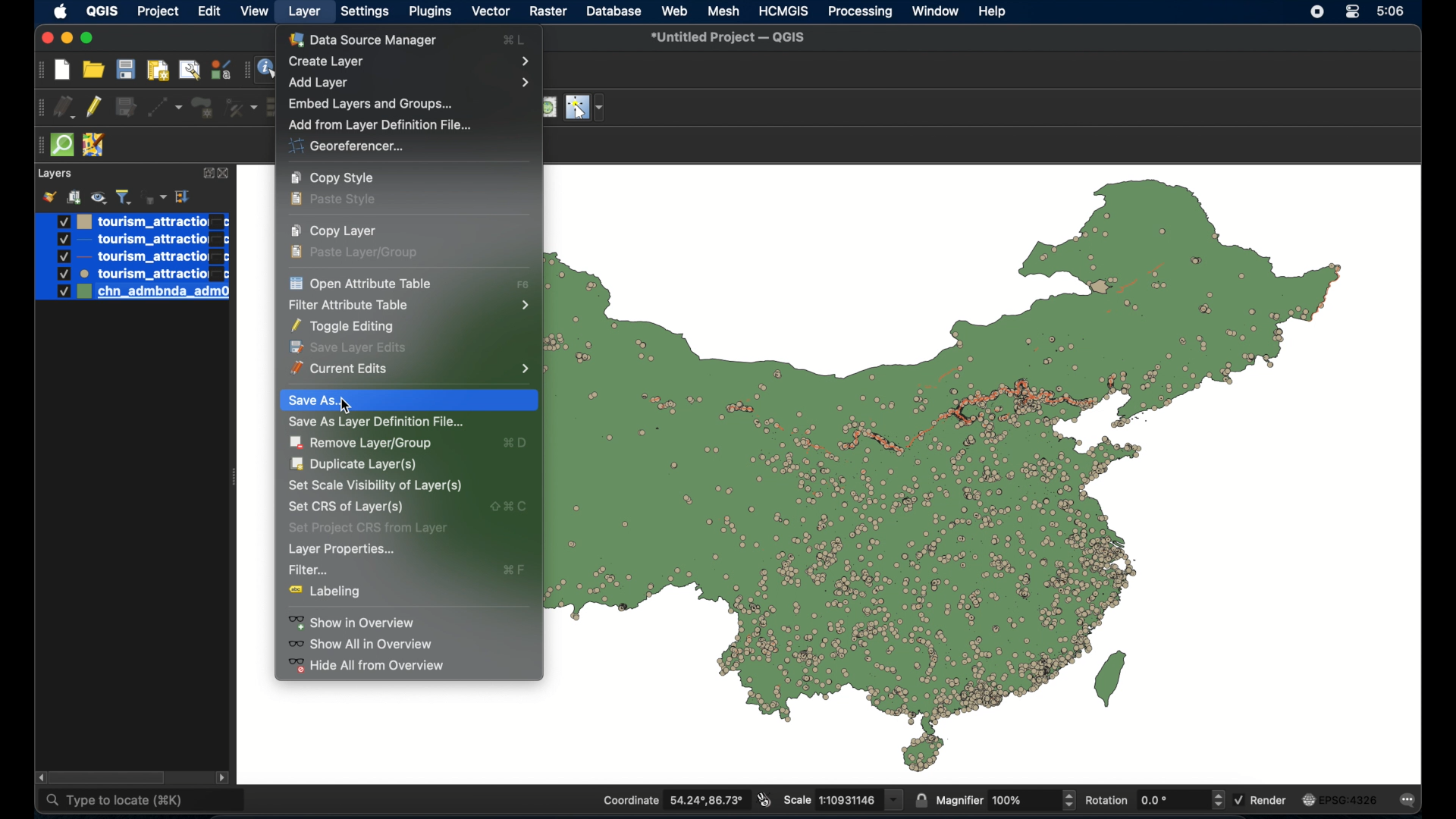  Describe the element at coordinates (843, 799) in the screenshot. I see `scale` at that location.